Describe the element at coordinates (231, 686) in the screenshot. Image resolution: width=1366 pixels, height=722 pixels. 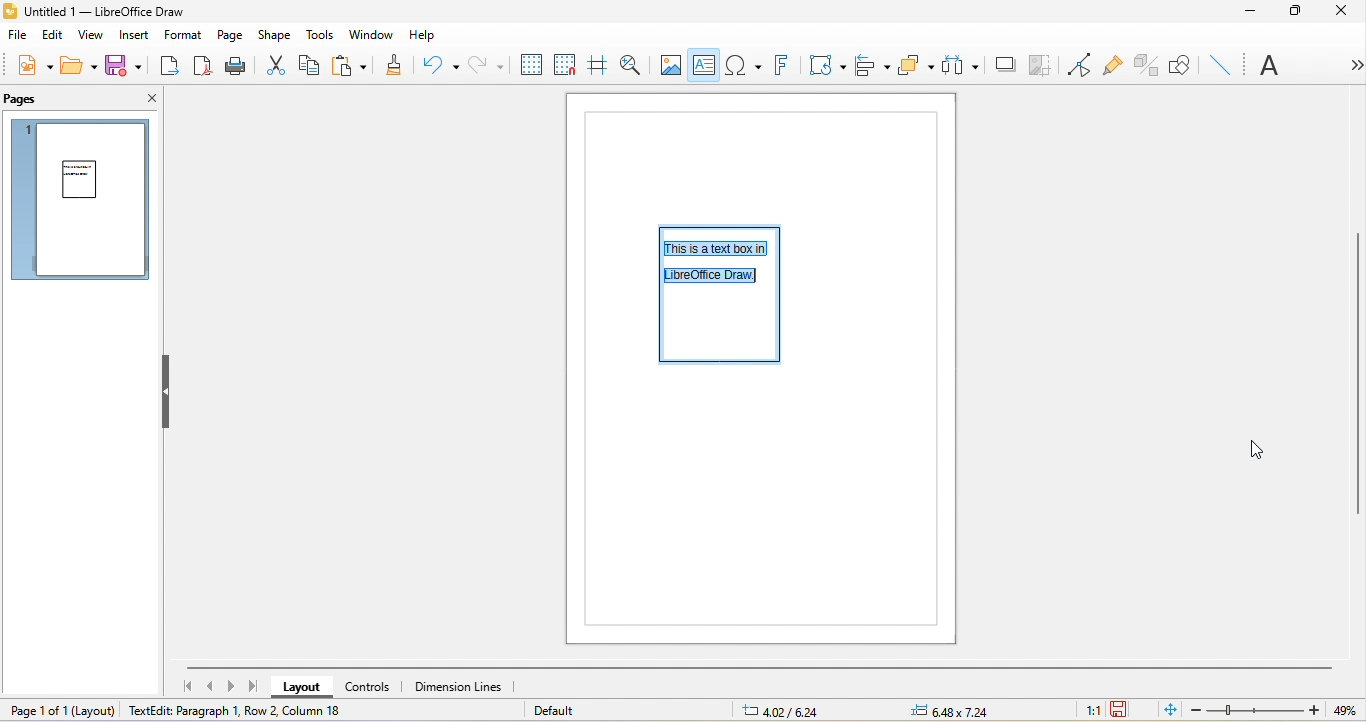
I see `next page` at that location.